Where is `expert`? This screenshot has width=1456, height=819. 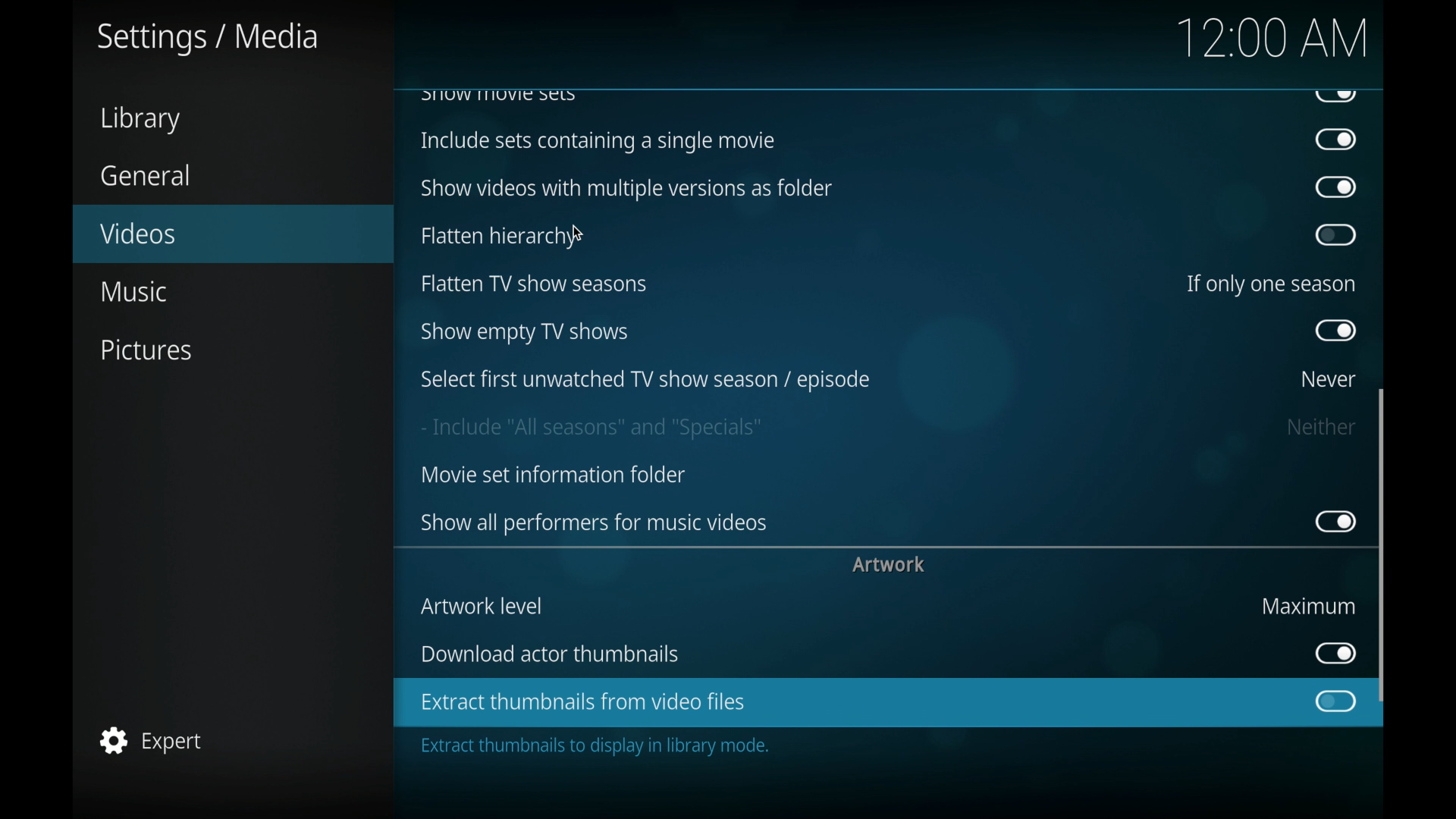 expert is located at coordinates (151, 739).